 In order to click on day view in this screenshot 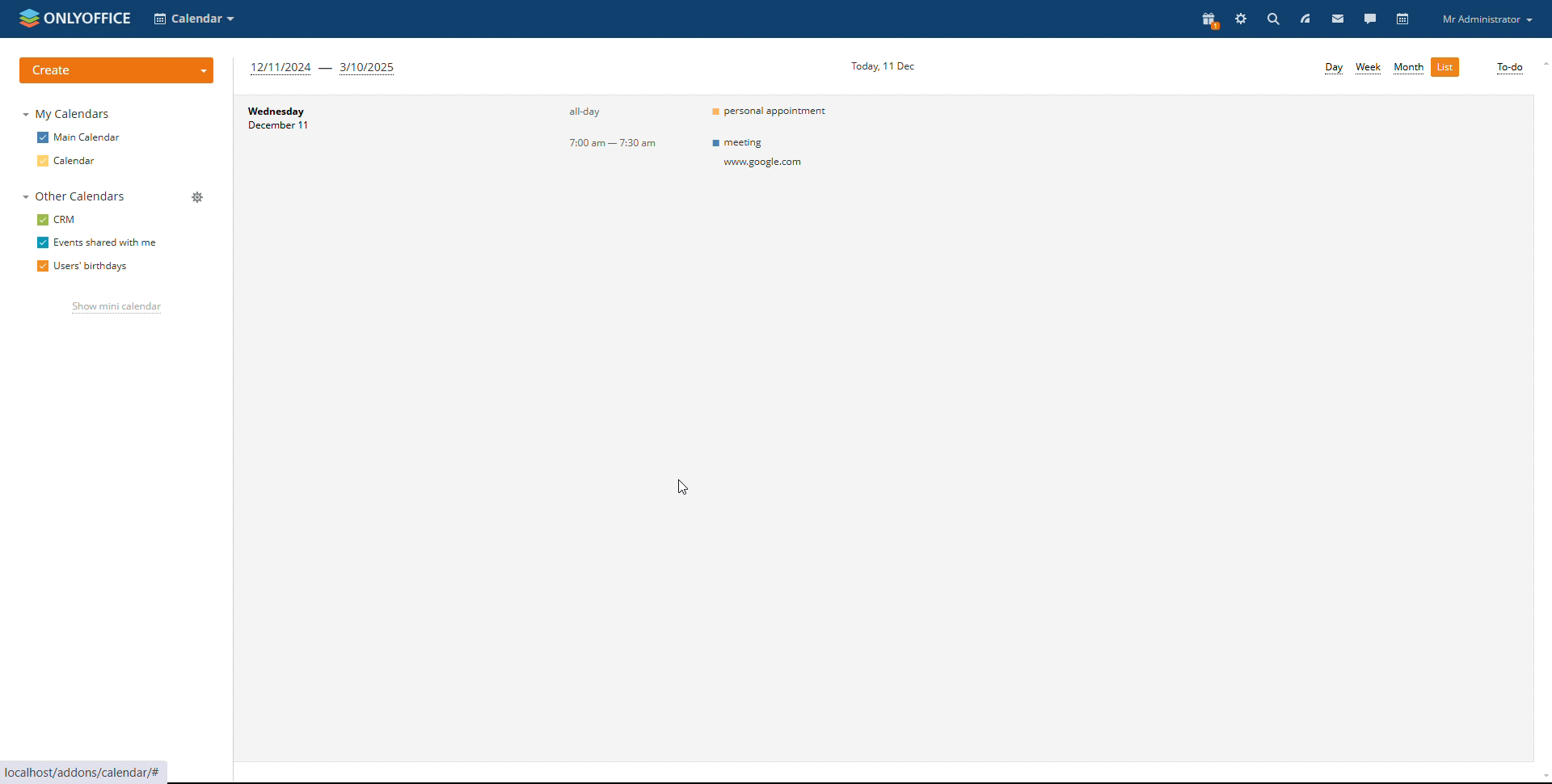, I will do `click(1334, 69)`.